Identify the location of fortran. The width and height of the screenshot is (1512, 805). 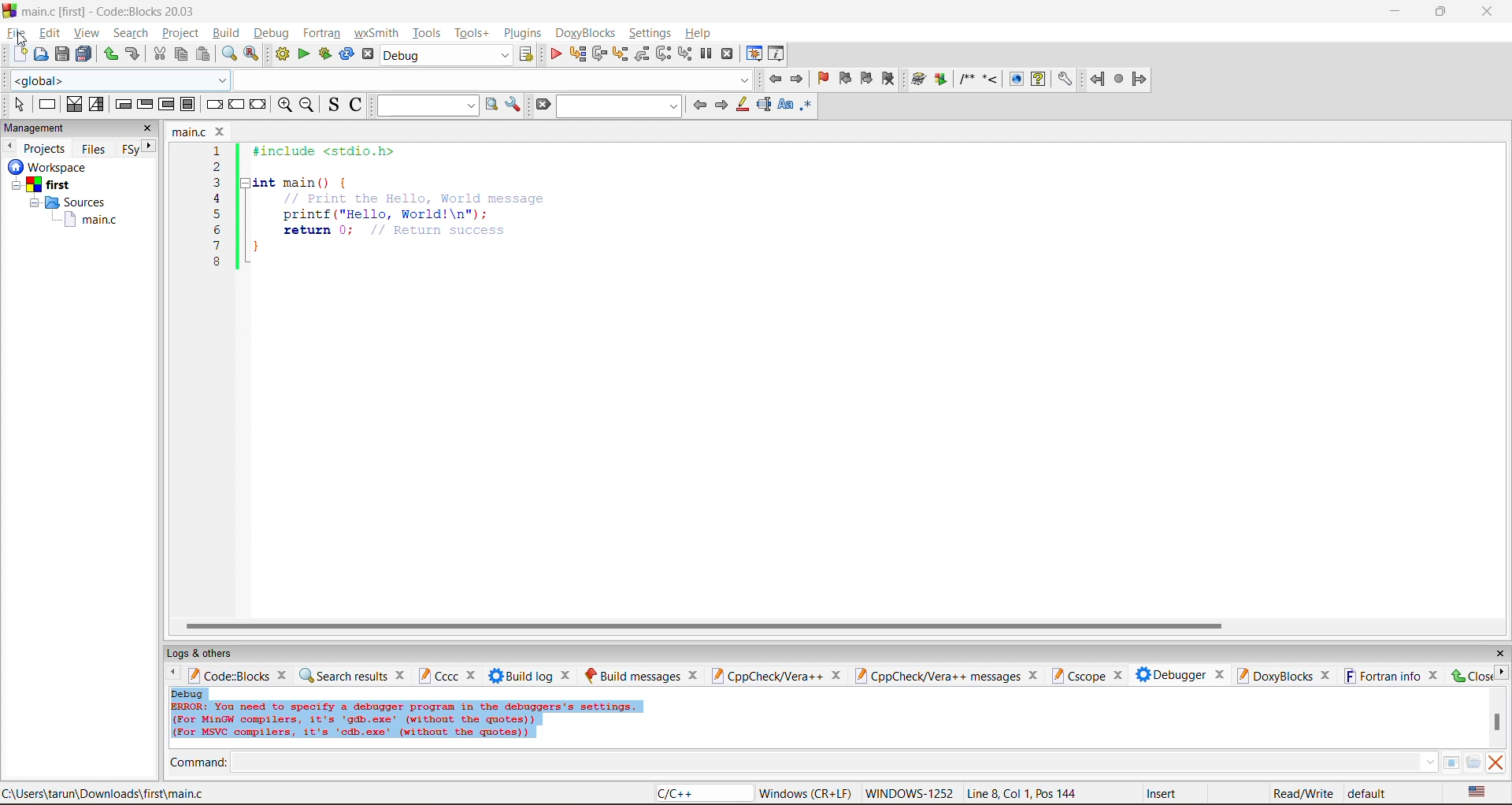
(322, 33).